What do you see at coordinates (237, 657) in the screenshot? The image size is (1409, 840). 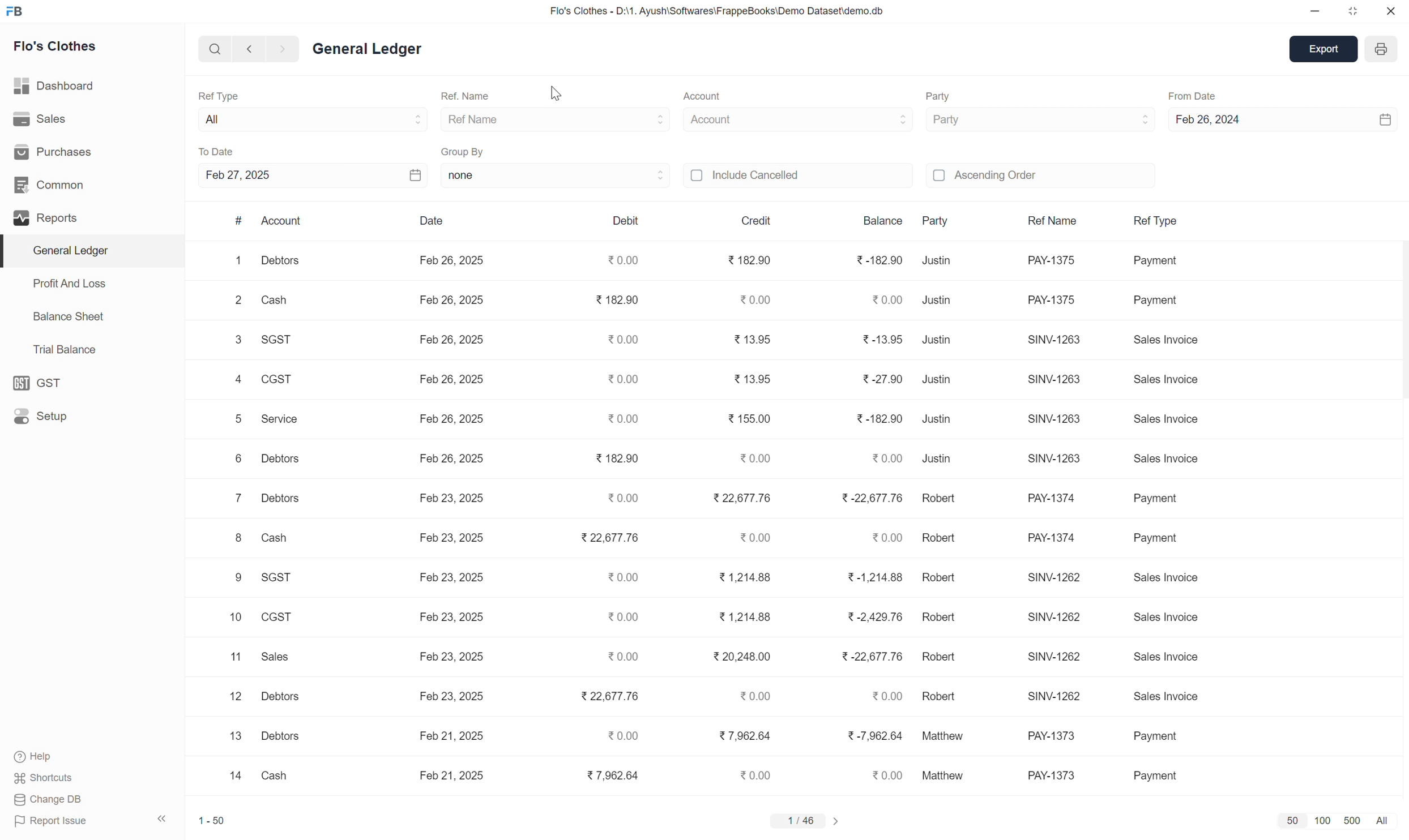 I see `11` at bounding box center [237, 657].